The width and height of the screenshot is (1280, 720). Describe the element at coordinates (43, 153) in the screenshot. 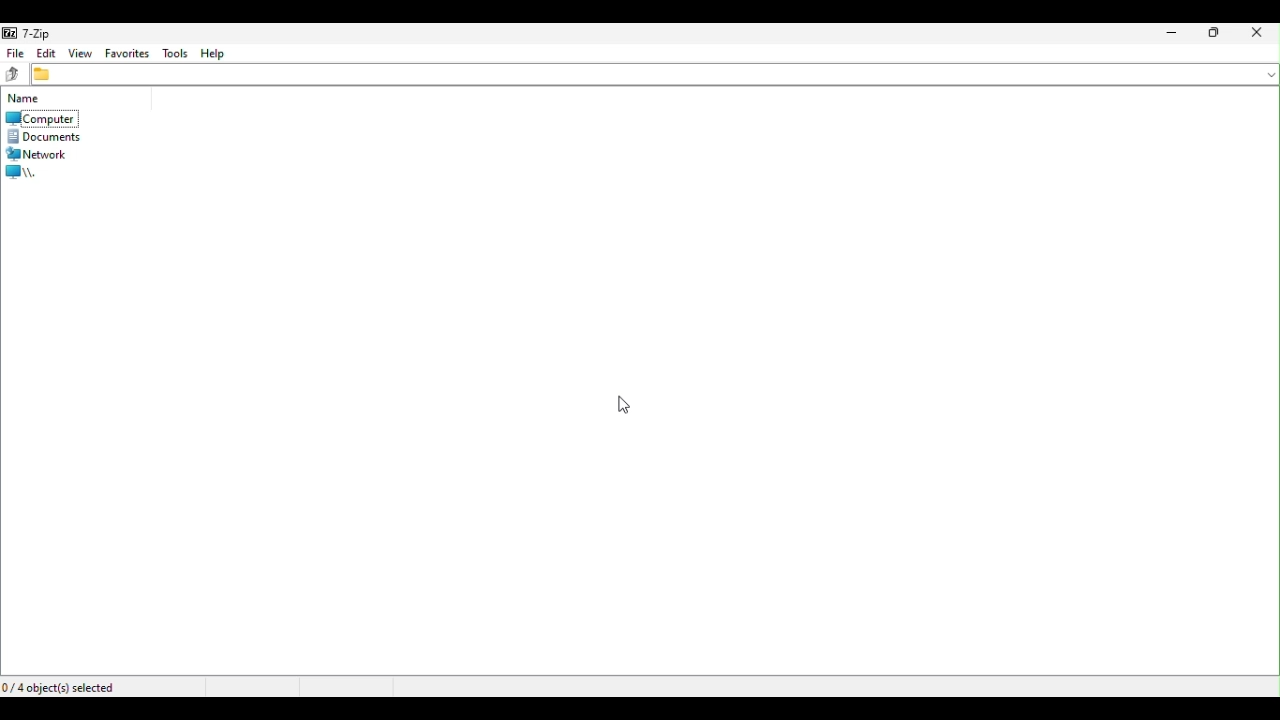

I see `network` at that location.